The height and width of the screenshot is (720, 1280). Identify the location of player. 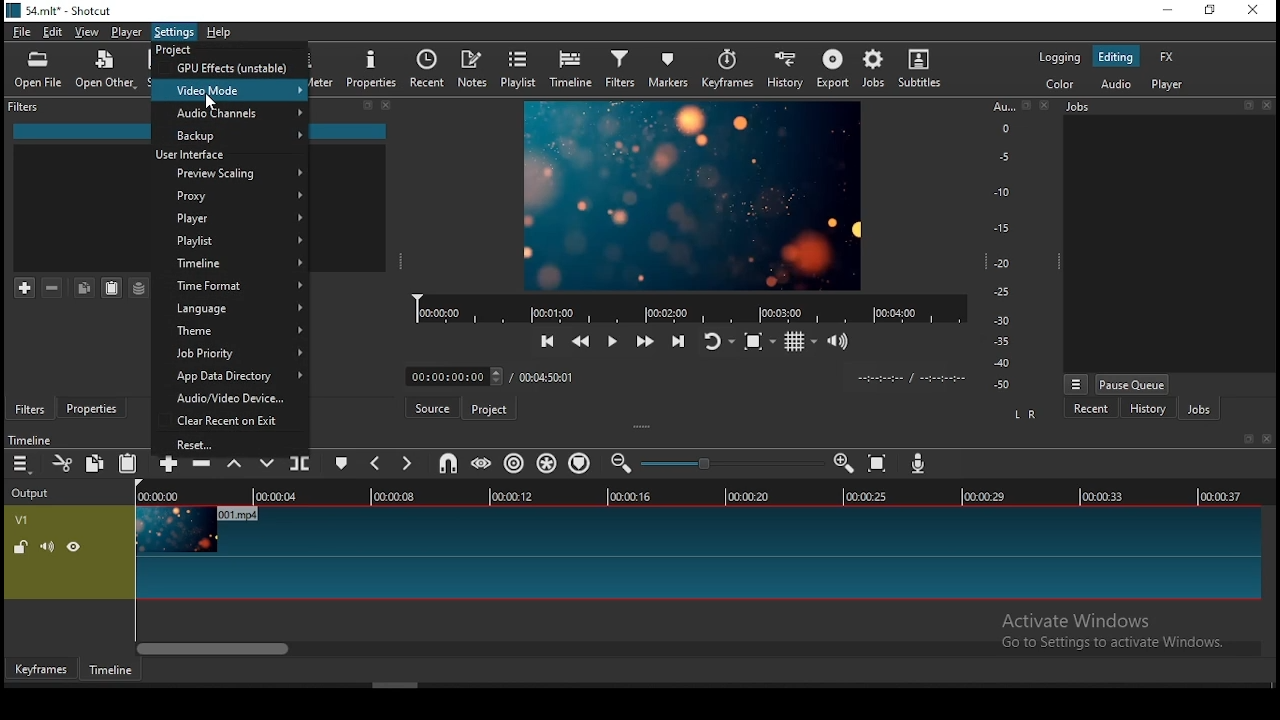
(1170, 85).